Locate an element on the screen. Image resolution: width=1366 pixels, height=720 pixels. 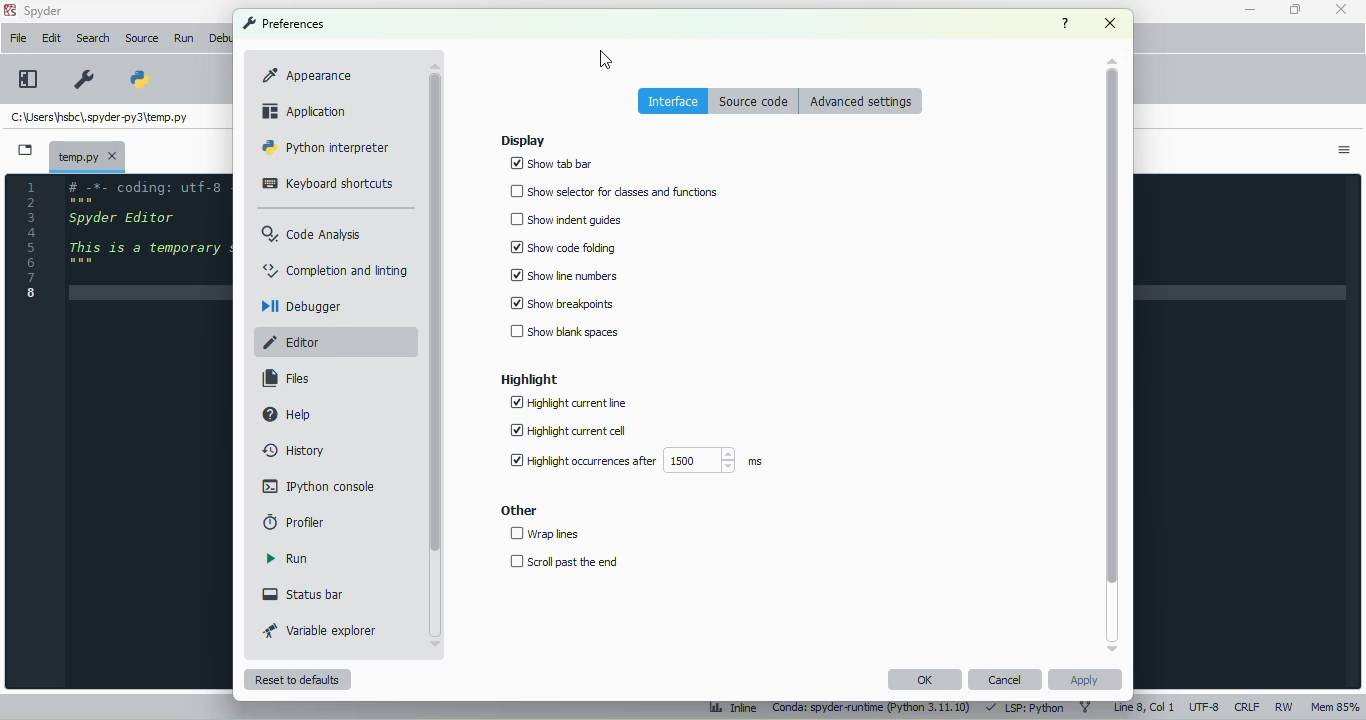
other is located at coordinates (521, 511).